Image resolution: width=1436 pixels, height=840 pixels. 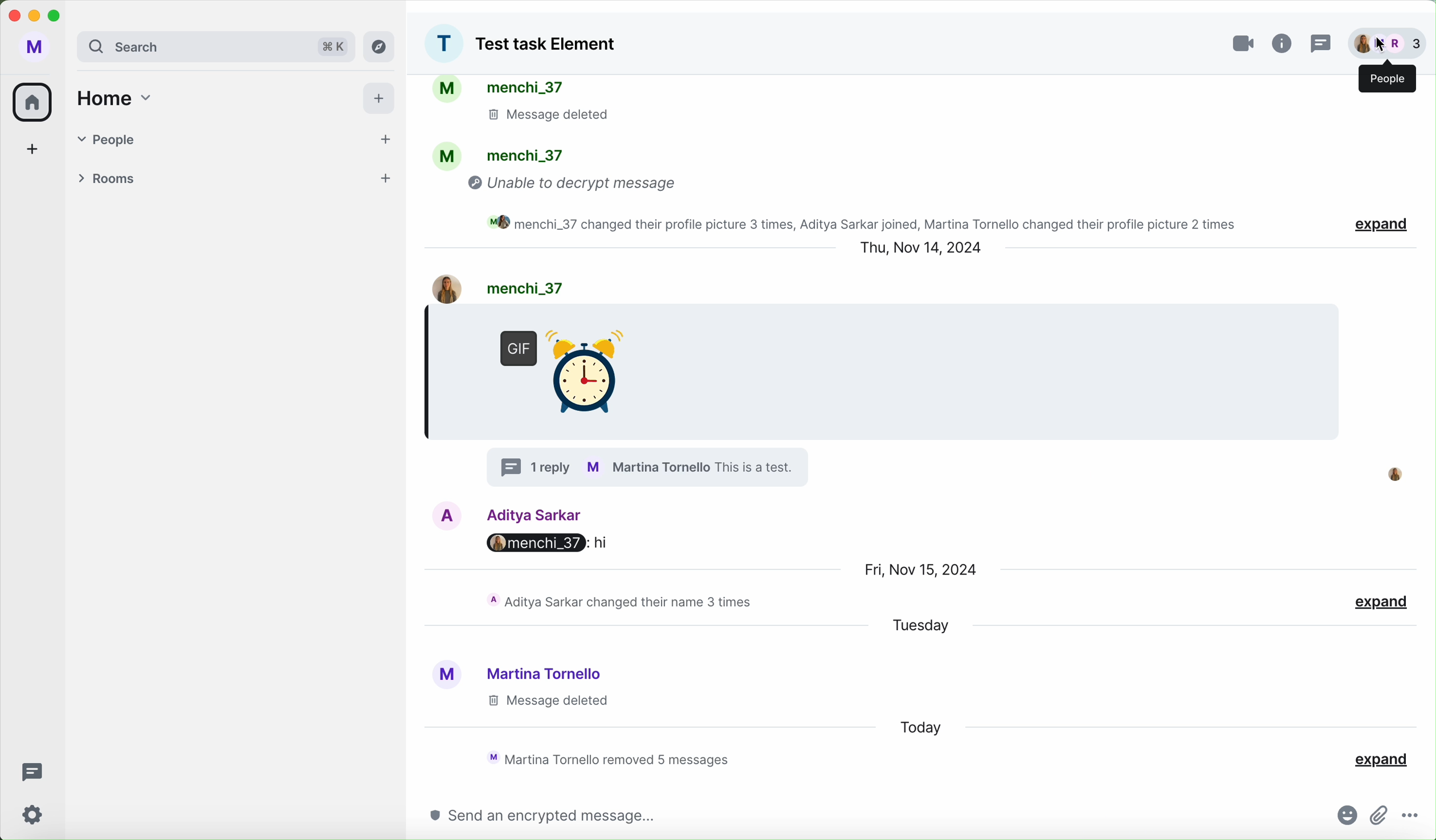 What do you see at coordinates (766, 467) in the screenshot?
I see `text` at bounding box center [766, 467].